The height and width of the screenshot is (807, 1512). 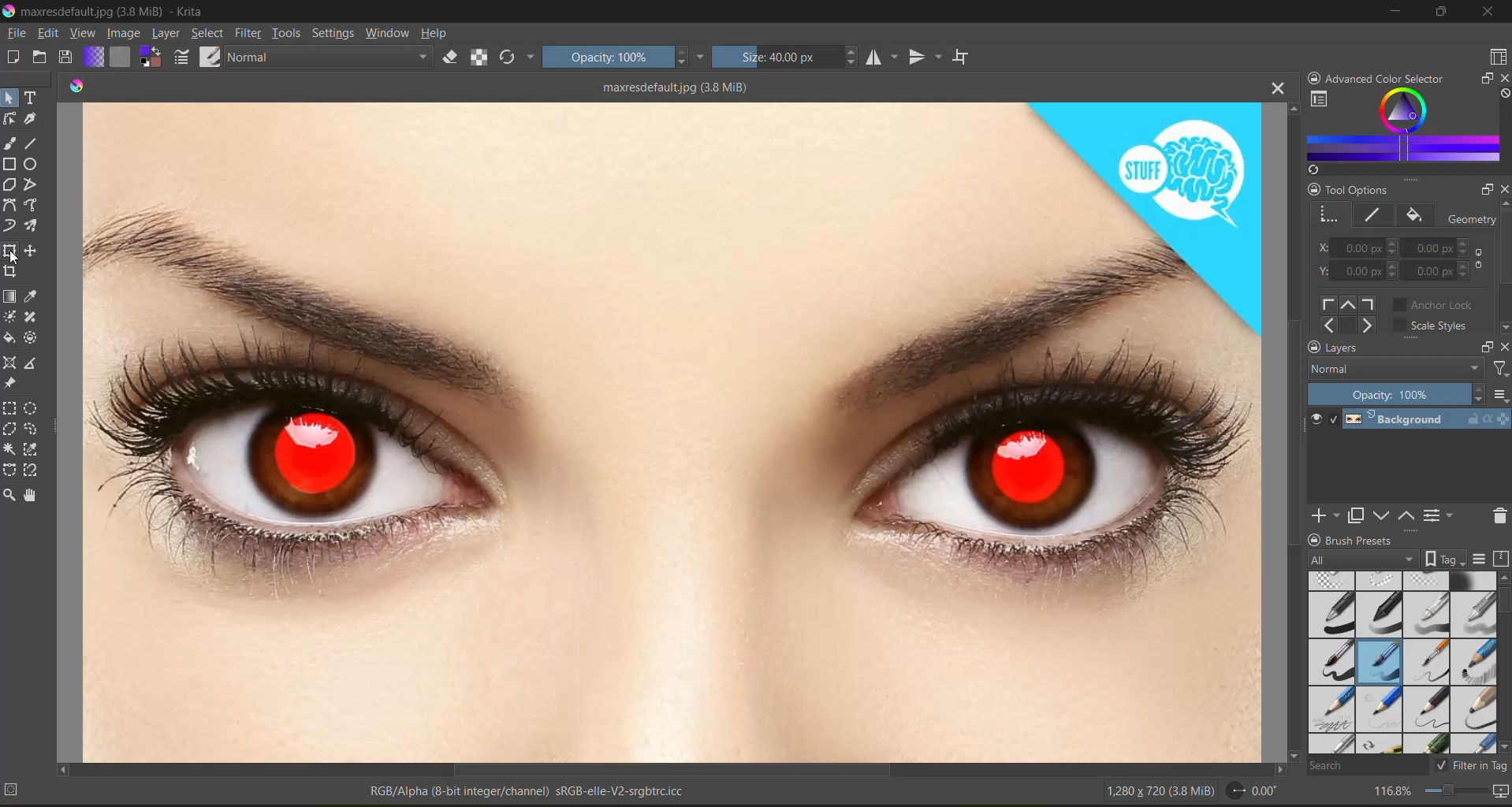 What do you see at coordinates (1489, 12) in the screenshot?
I see `close` at bounding box center [1489, 12].